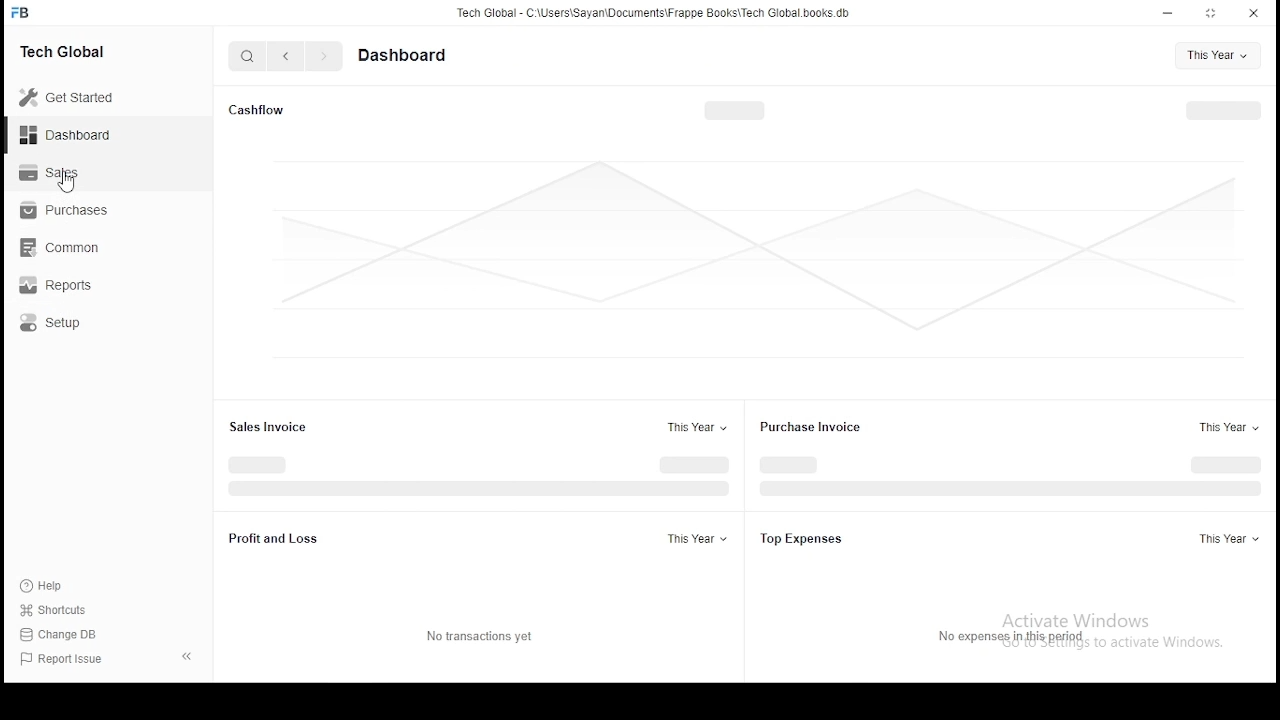 Image resolution: width=1280 pixels, height=720 pixels. What do you see at coordinates (54, 174) in the screenshot?
I see `sales` at bounding box center [54, 174].